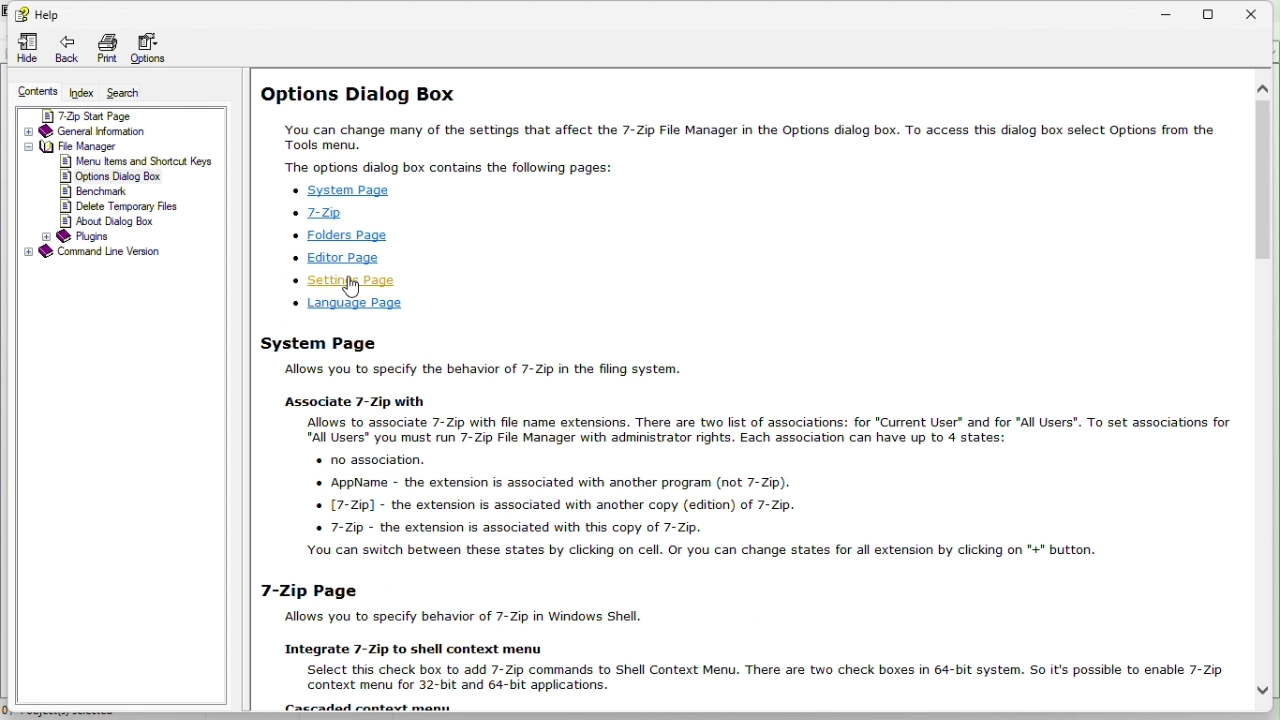  What do you see at coordinates (104, 251) in the screenshot?
I see `Command line version ` at bounding box center [104, 251].